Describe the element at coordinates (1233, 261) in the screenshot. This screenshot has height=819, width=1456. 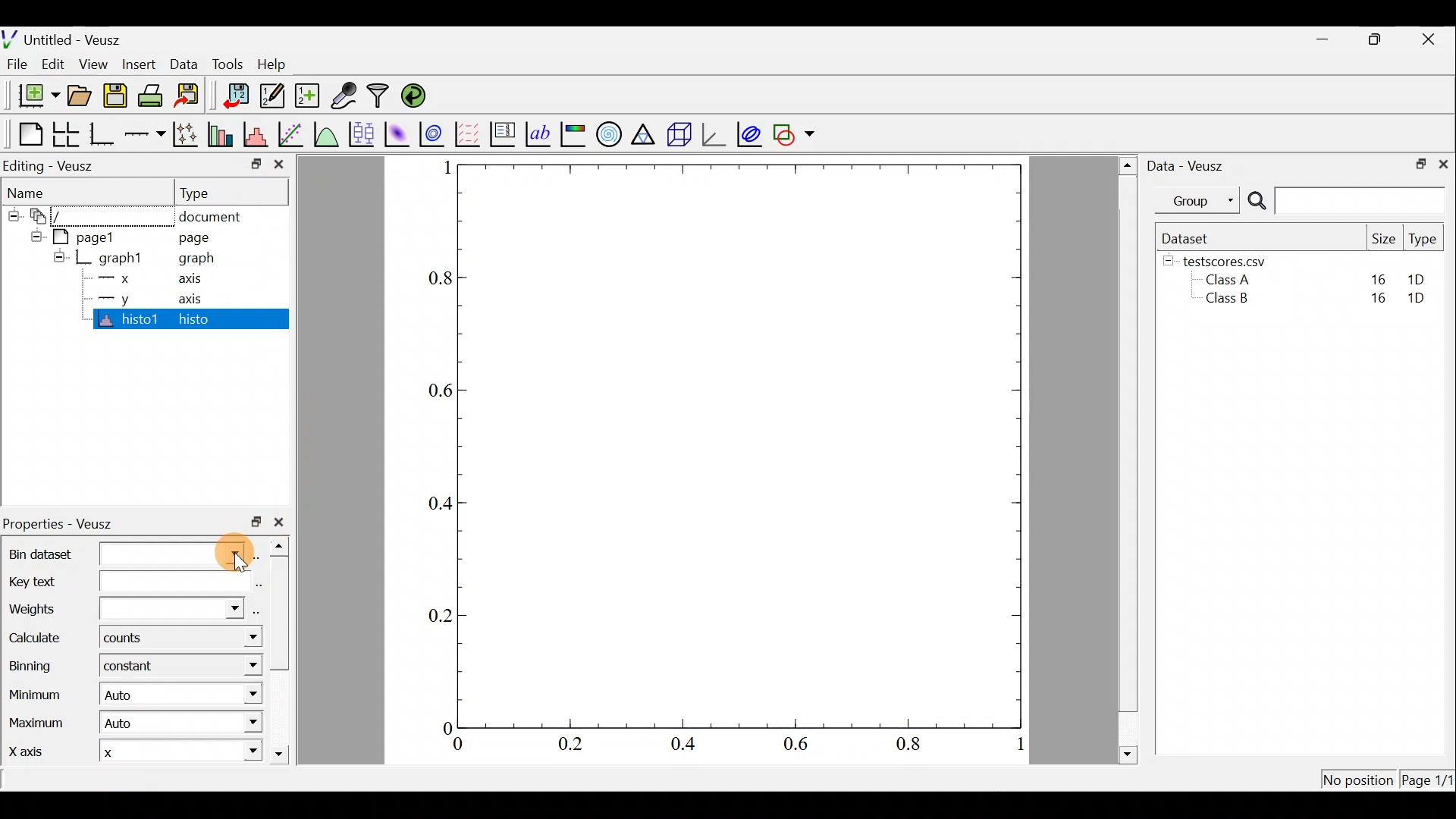
I see `testscores.csv` at that location.